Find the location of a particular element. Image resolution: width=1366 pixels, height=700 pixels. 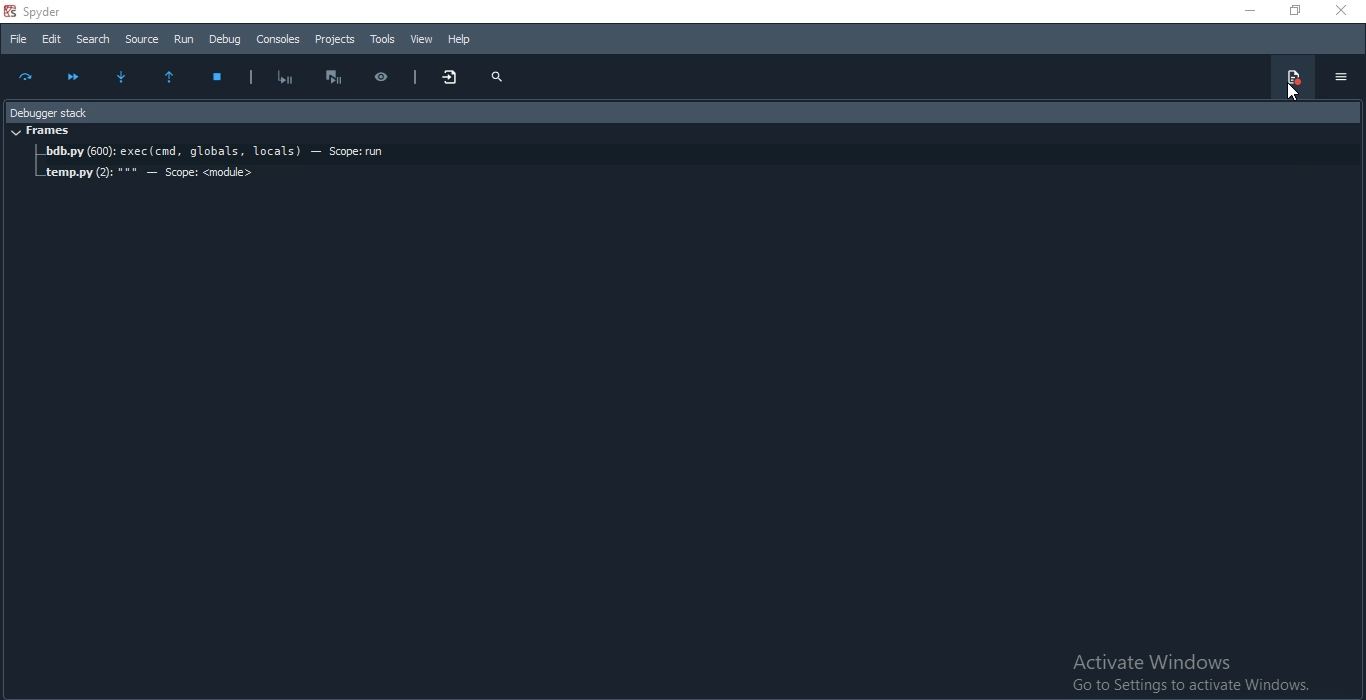

Tools is located at coordinates (382, 39).